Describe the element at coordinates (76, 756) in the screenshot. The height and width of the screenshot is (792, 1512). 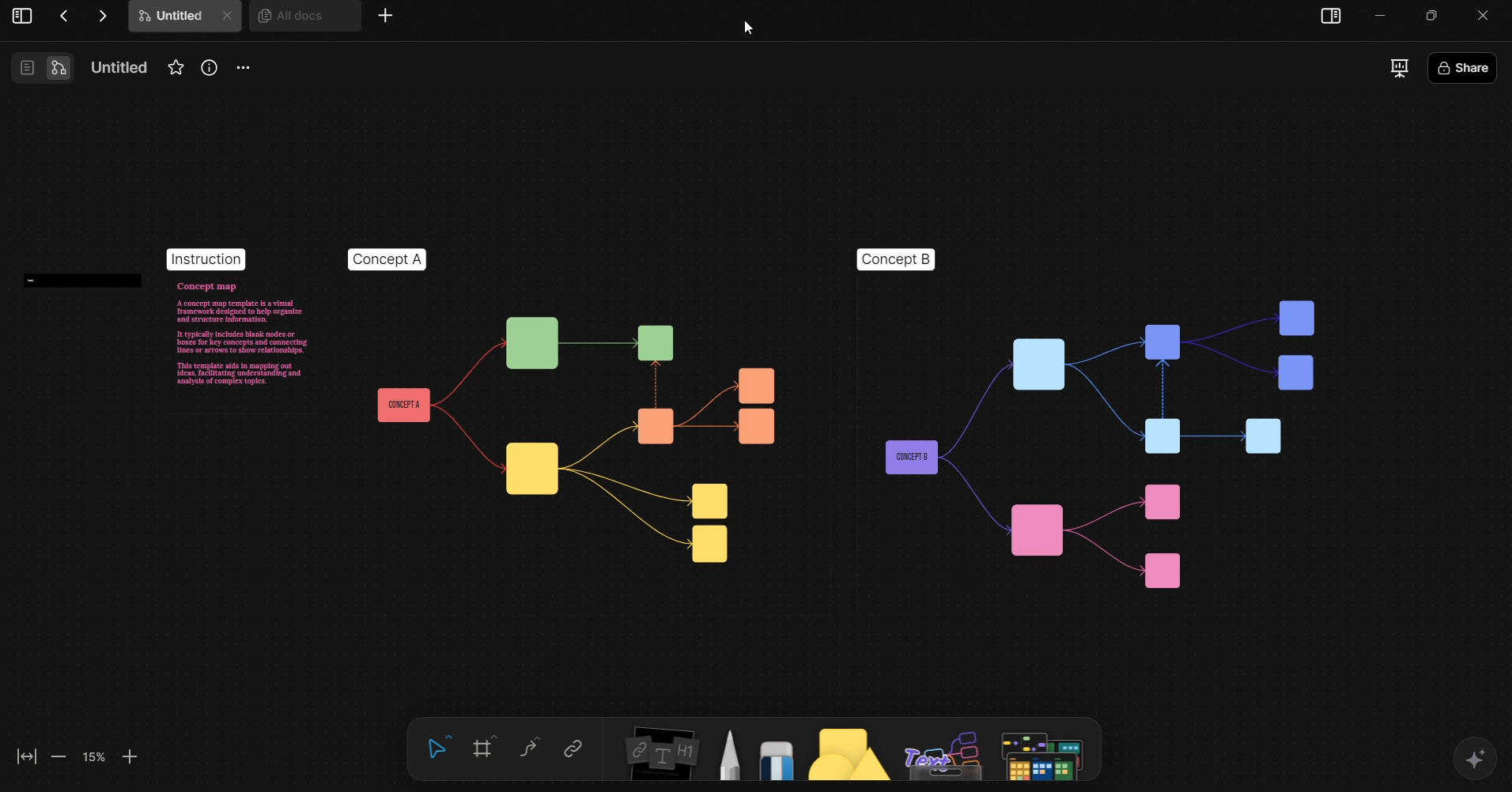
I see `Zoom` at that location.